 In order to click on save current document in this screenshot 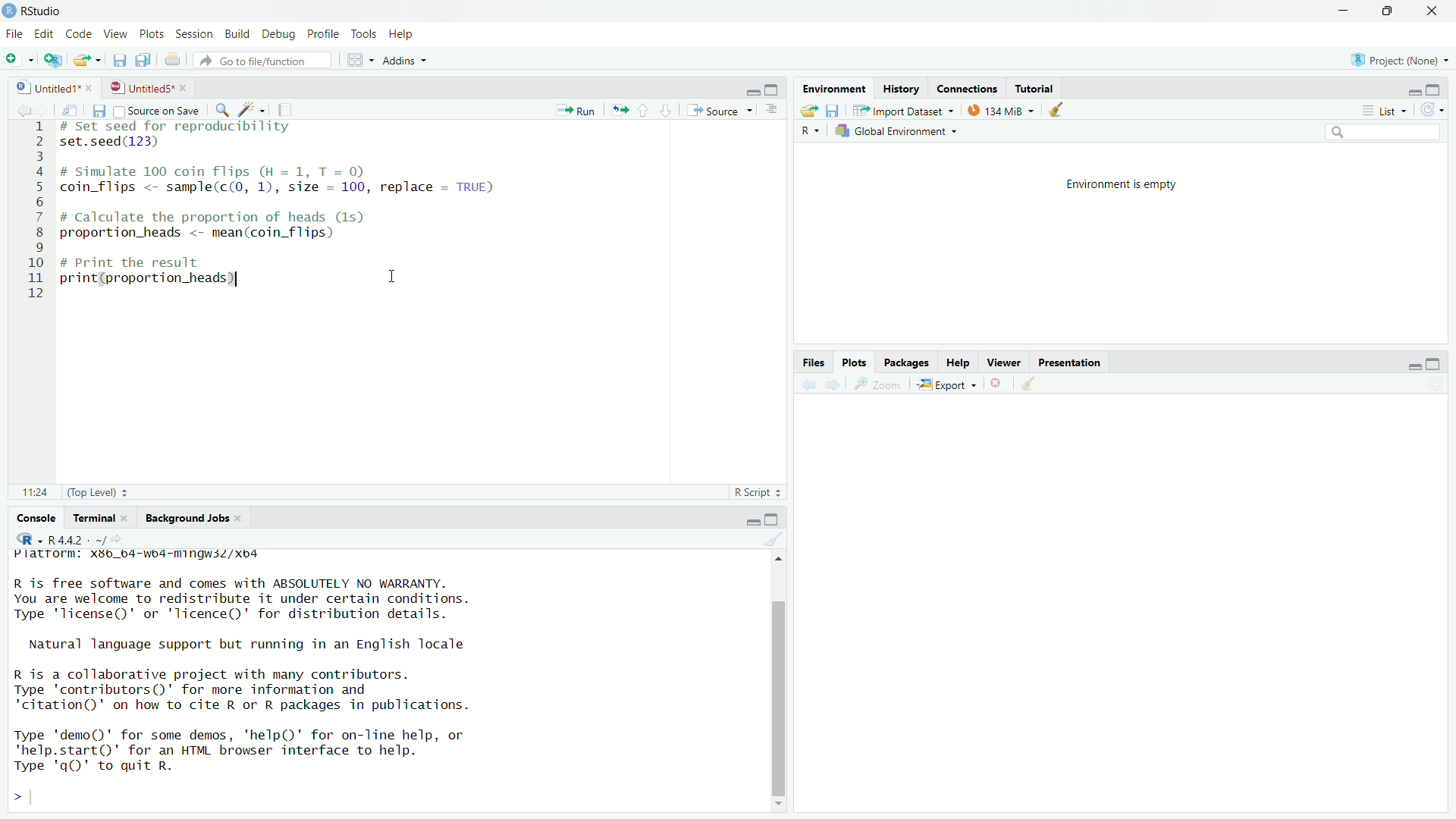, I will do `click(98, 110)`.